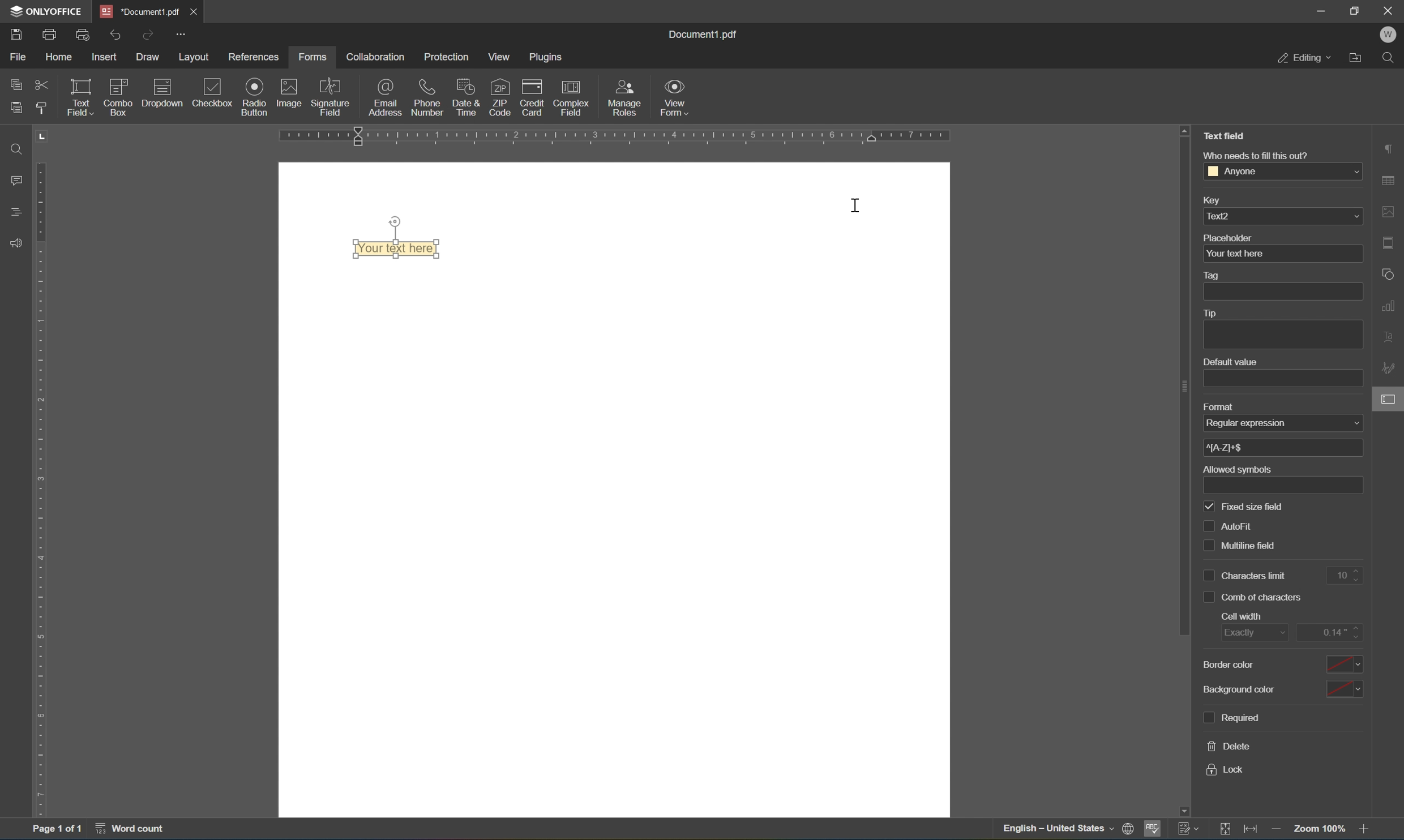 The image size is (1404, 840). Describe the element at coordinates (1227, 526) in the screenshot. I see `auto fill` at that location.